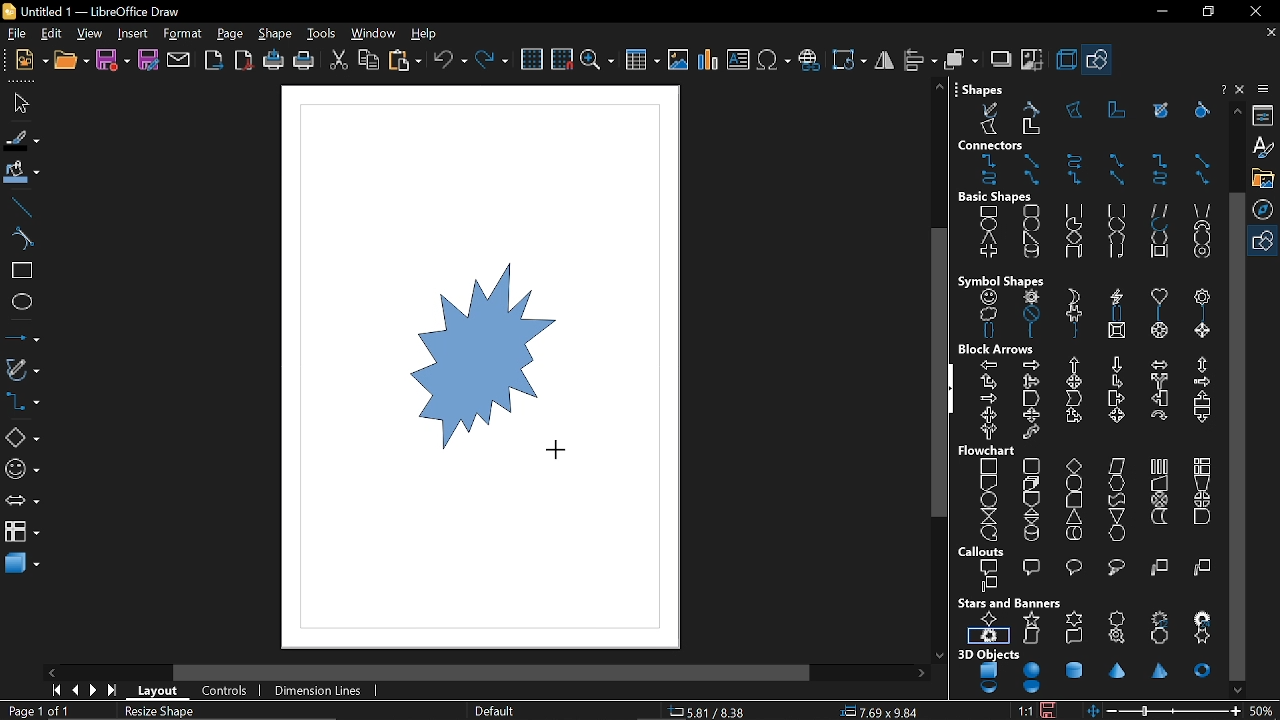 Image resolution: width=1280 pixels, height=720 pixels. I want to click on ellipse, so click(19, 300).